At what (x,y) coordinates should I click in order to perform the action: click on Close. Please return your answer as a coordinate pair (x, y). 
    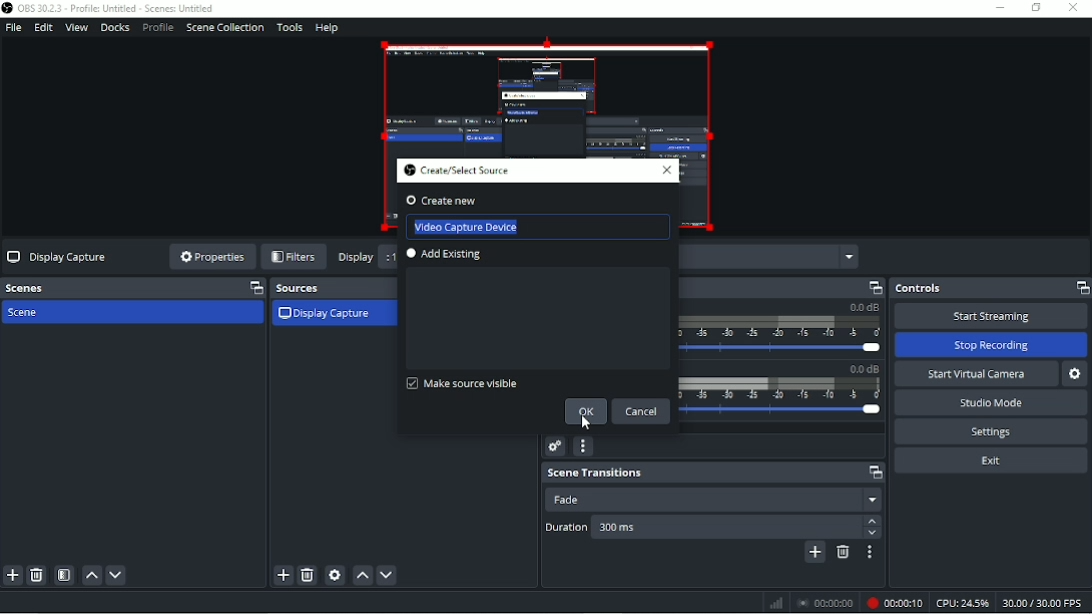
    Looking at the image, I should click on (668, 172).